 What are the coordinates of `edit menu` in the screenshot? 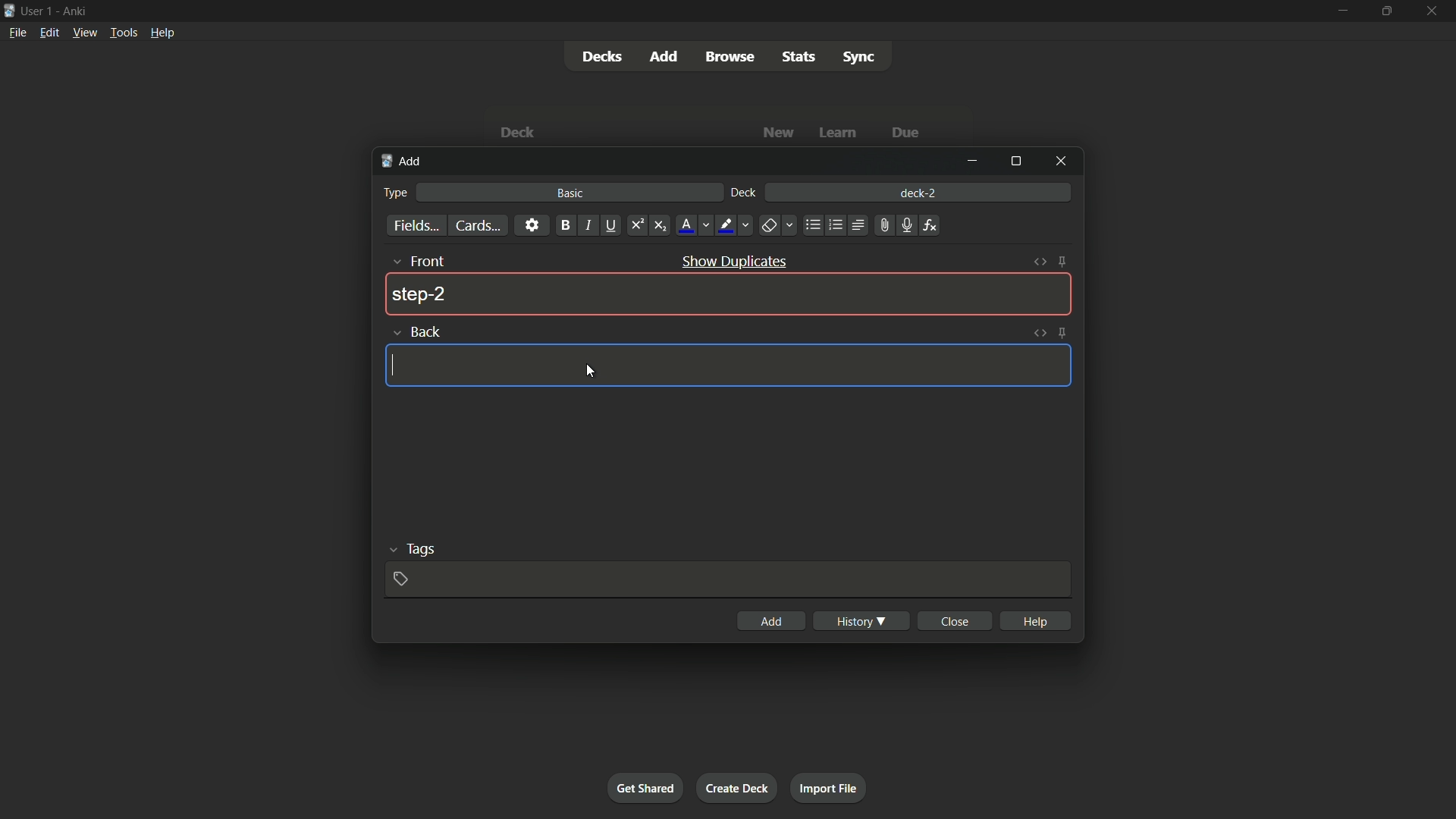 It's located at (47, 32).